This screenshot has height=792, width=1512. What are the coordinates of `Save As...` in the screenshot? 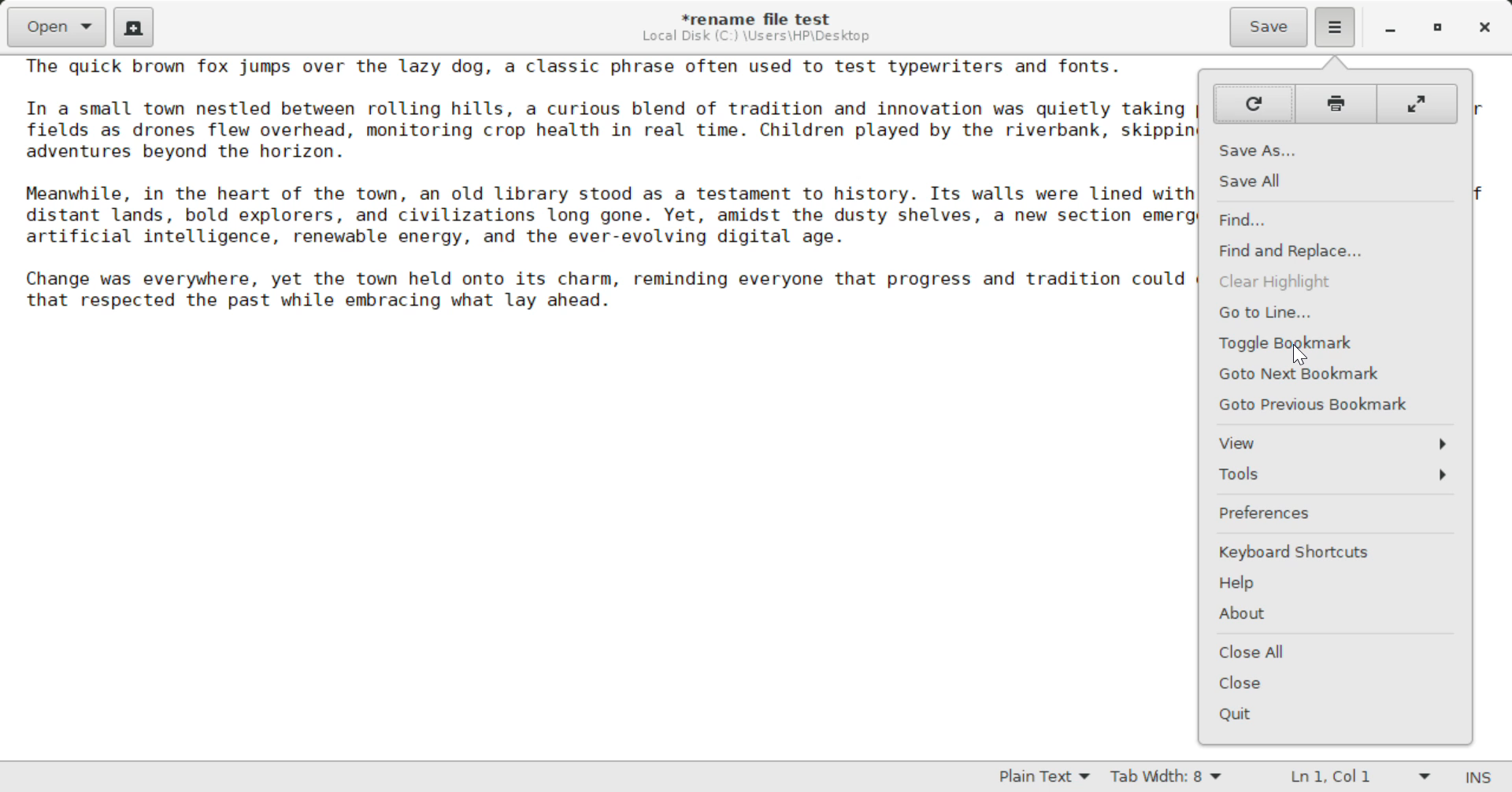 It's located at (1336, 147).